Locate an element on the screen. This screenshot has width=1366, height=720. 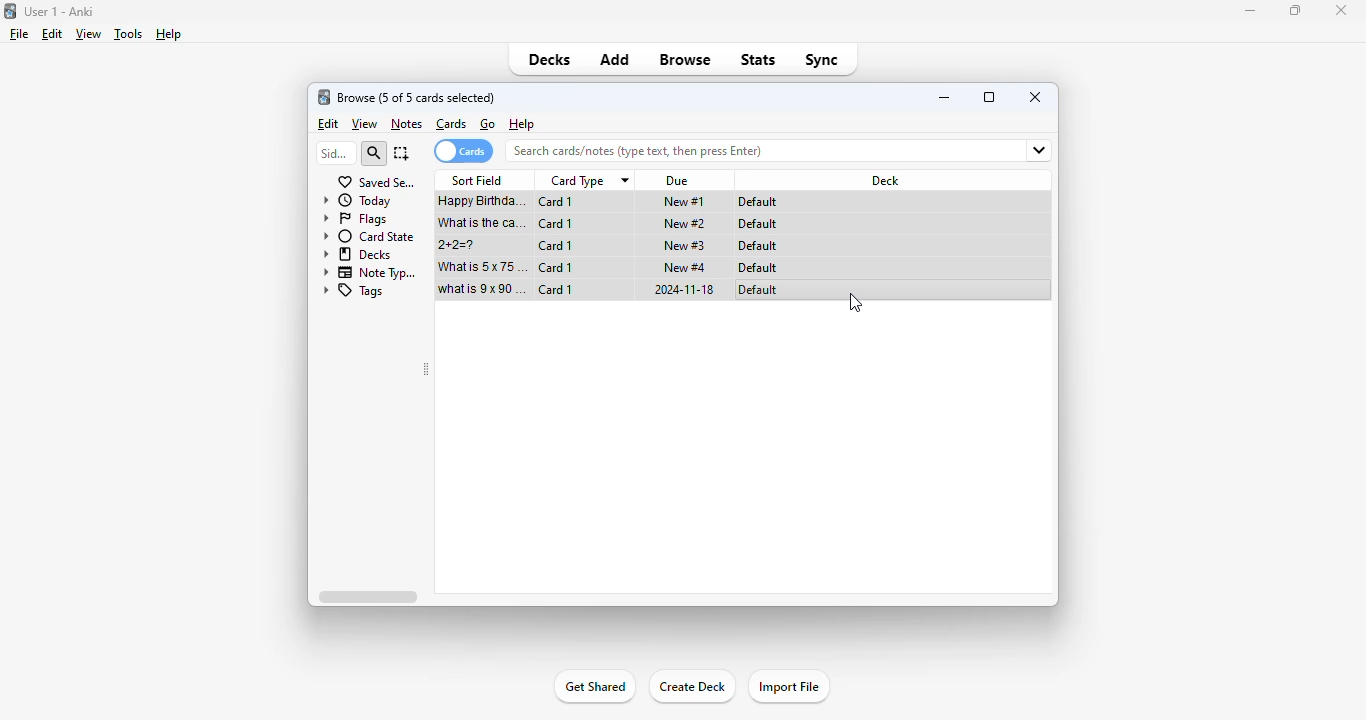
create deck is located at coordinates (691, 686).